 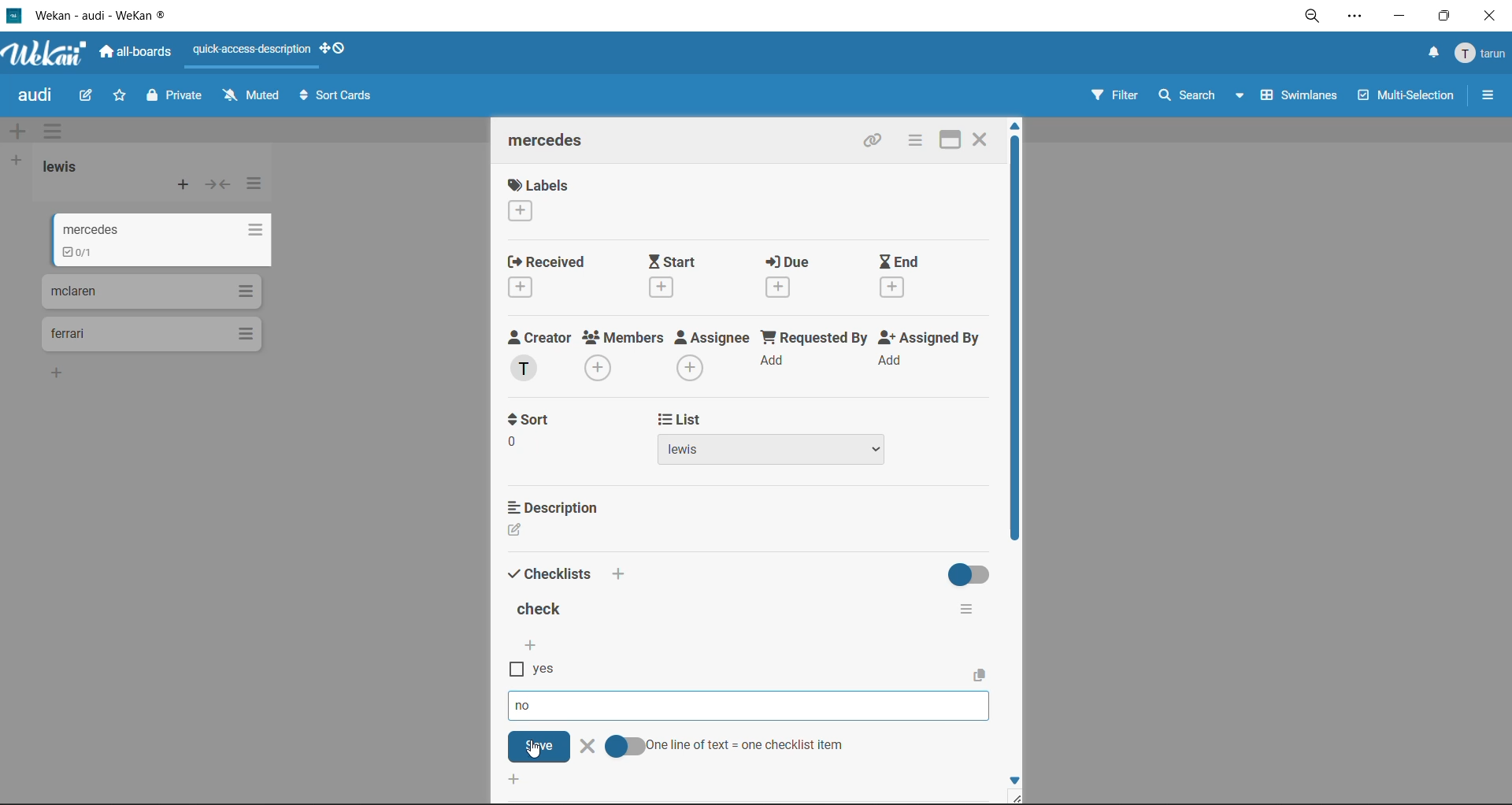 I want to click on card actions, so click(x=911, y=142).